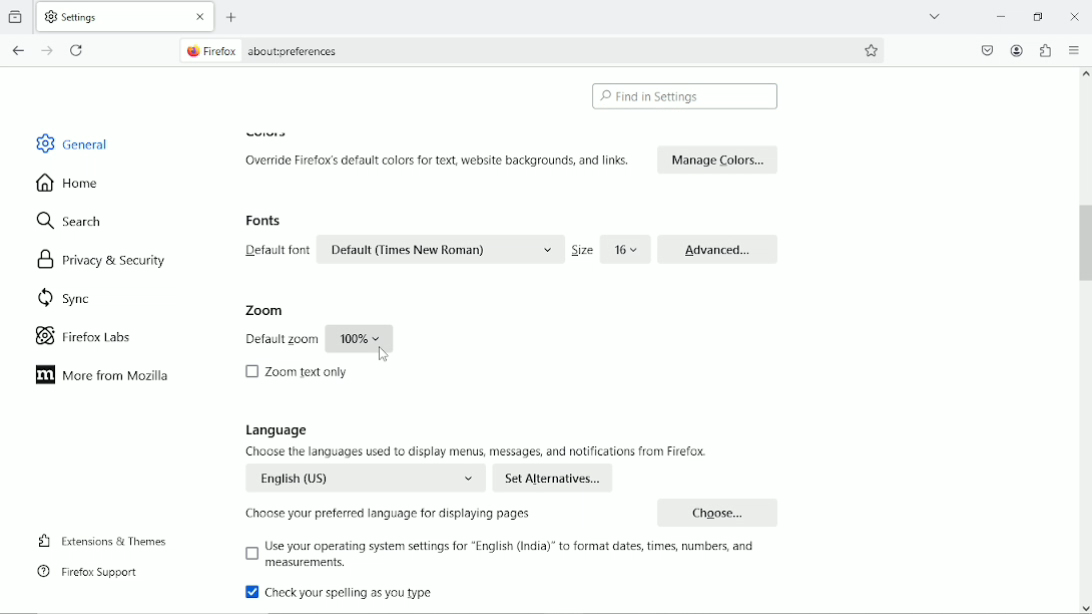 The width and height of the screenshot is (1092, 614). What do you see at coordinates (1085, 74) in the screenshot?
I see `Scroll Up` at bounding box center [1085, 74].